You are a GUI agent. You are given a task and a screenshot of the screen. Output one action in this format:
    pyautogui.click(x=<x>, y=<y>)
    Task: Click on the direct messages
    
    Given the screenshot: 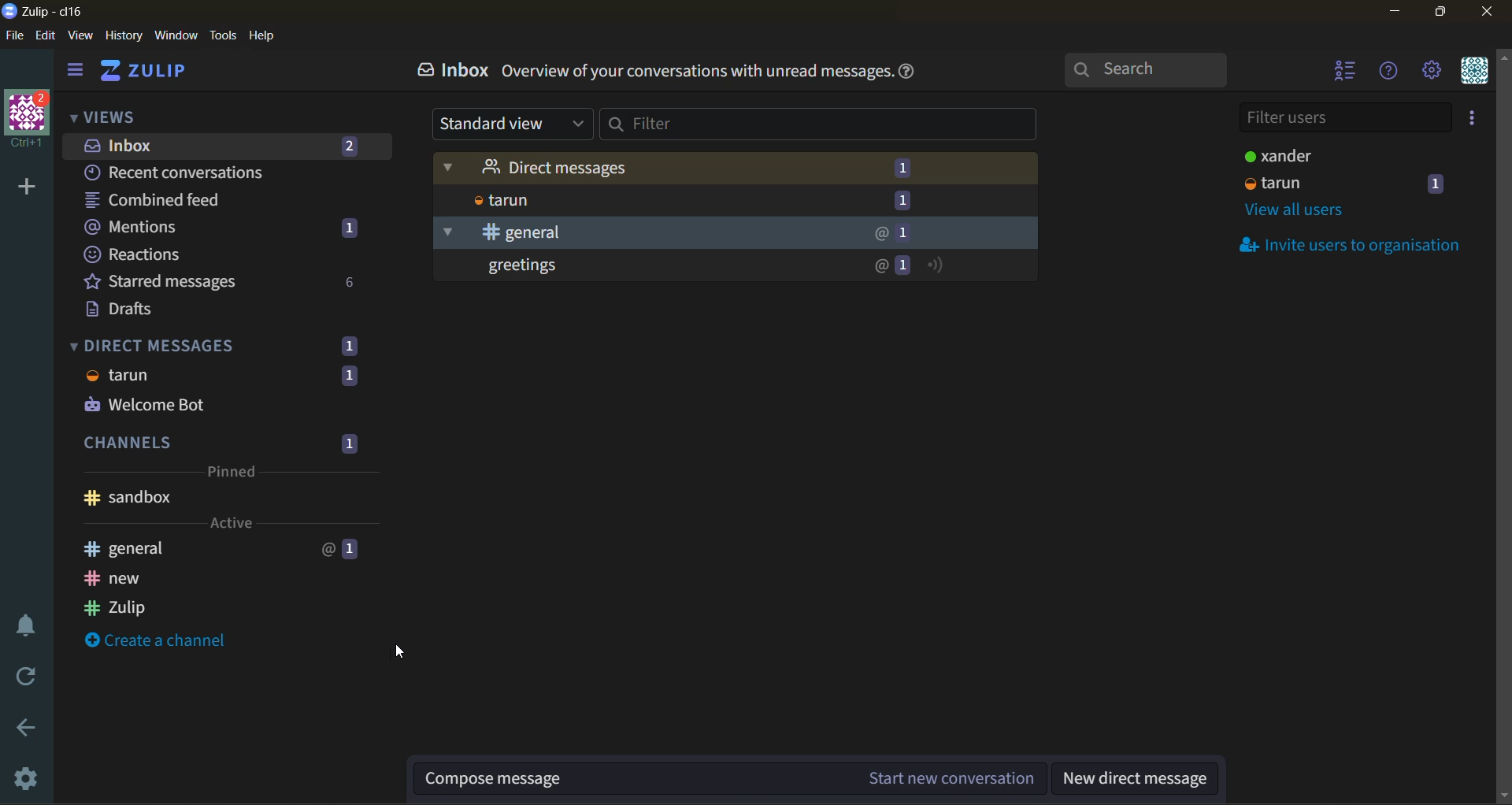 What is the action you would take?
    pyautogui.click(x=215, y=343)
    